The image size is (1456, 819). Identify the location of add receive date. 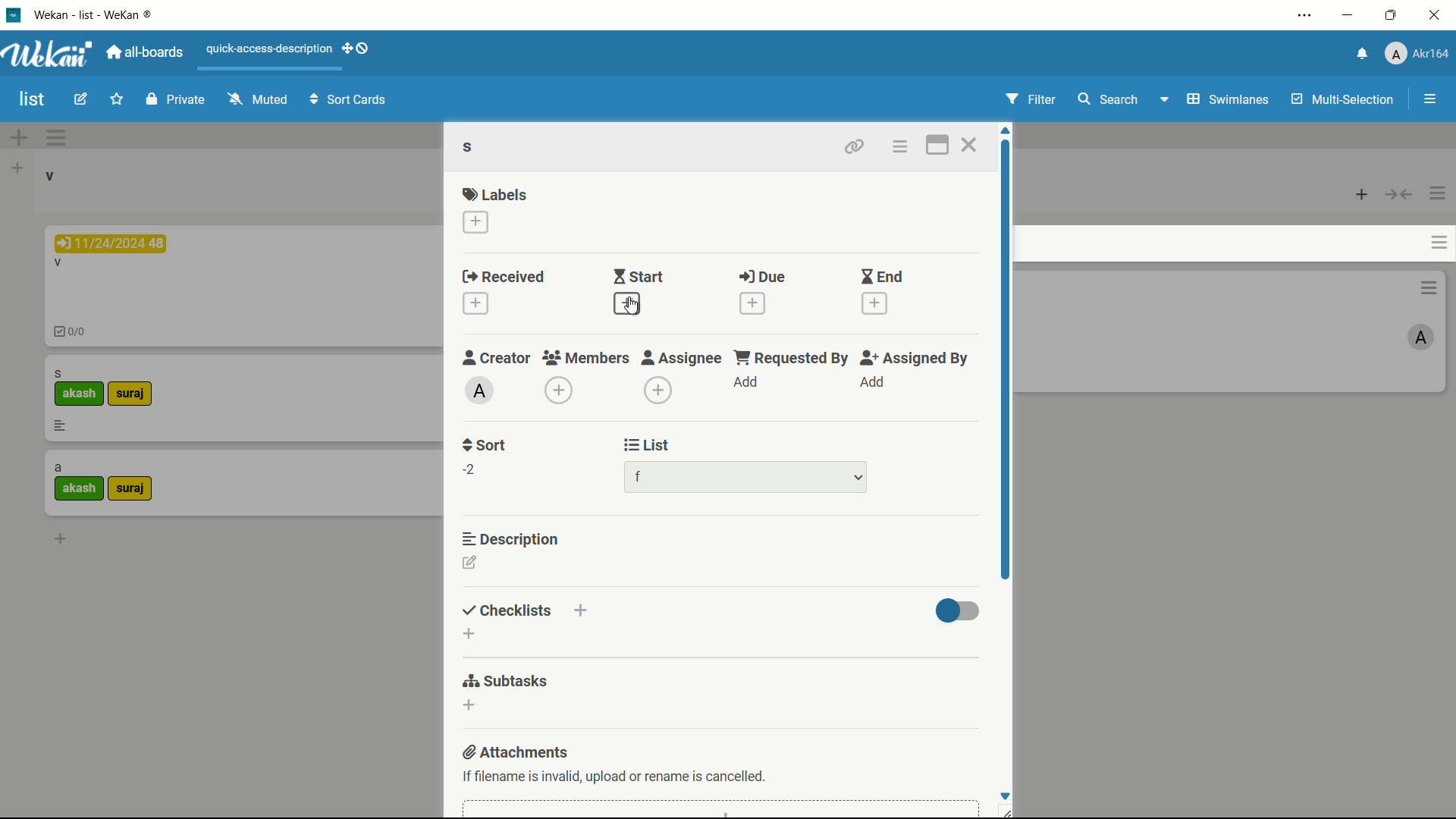
(475, 303).